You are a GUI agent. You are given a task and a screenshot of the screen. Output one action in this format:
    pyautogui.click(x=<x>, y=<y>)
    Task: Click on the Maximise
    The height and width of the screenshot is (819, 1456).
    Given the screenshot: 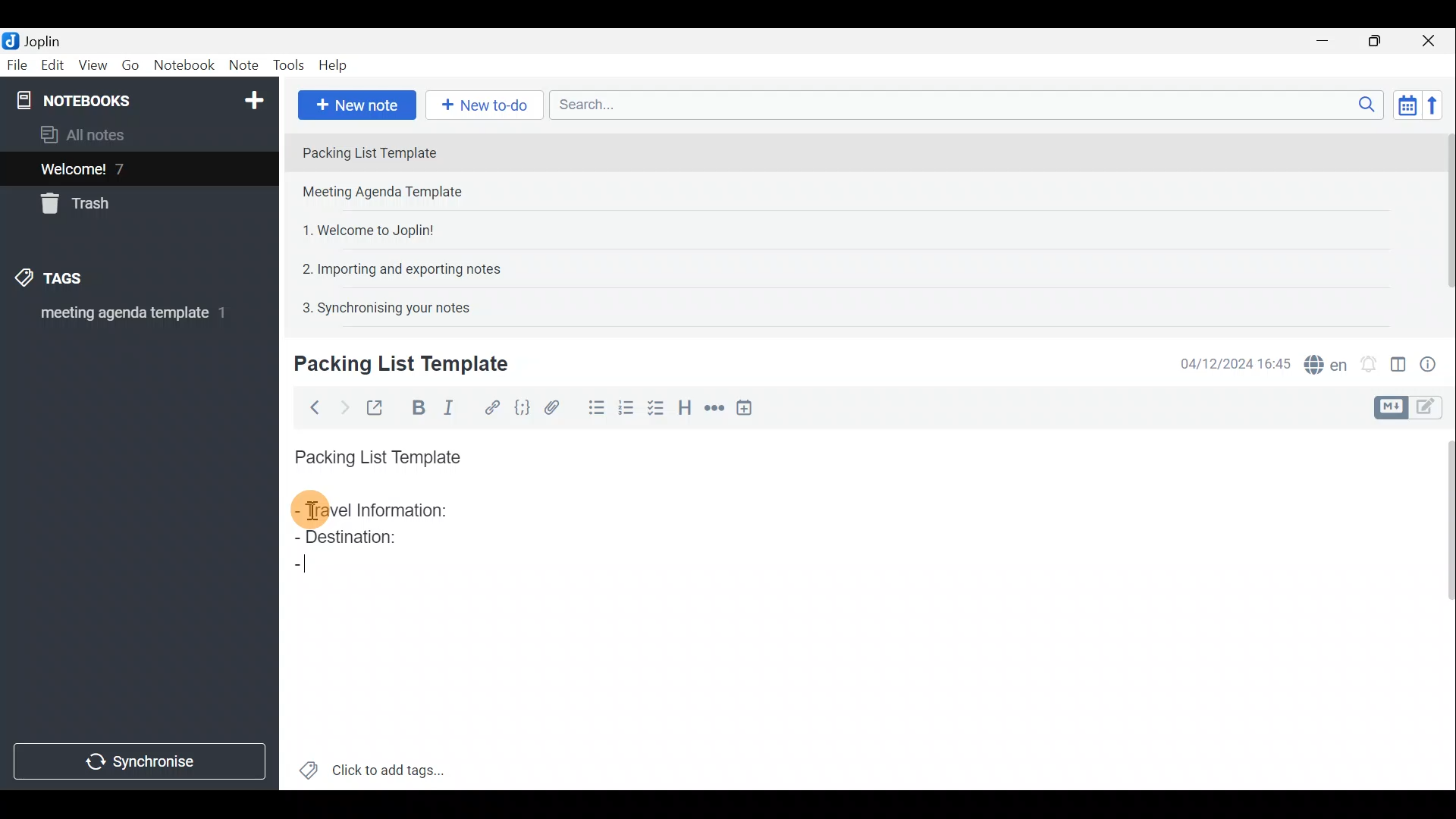 What is the action you would take?
    pyautogui.click(x=1380, y=41)
    